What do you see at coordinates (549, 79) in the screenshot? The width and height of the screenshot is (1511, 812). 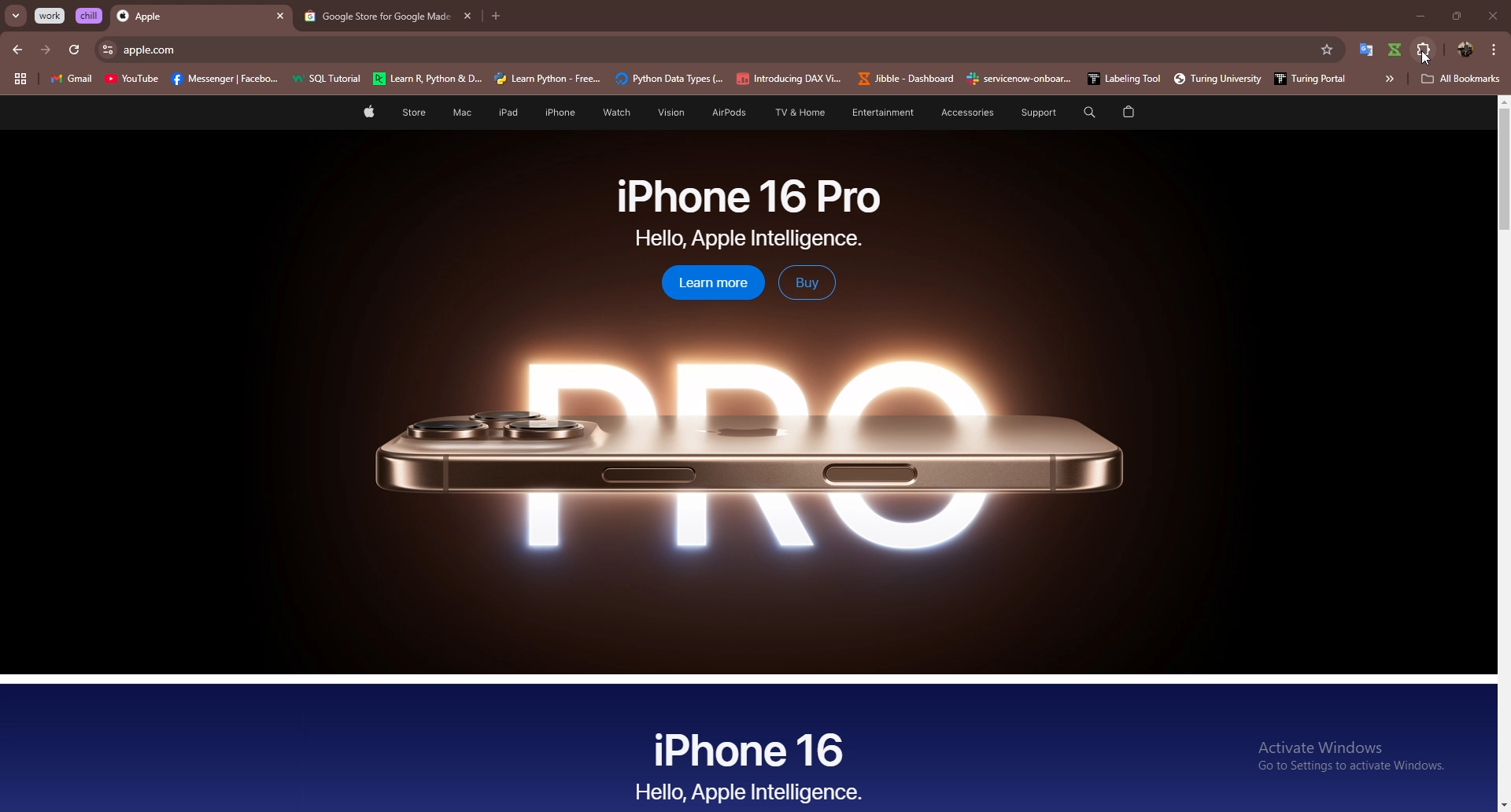 I see `Learn  Python- Free` at bounding box center [549, 79].